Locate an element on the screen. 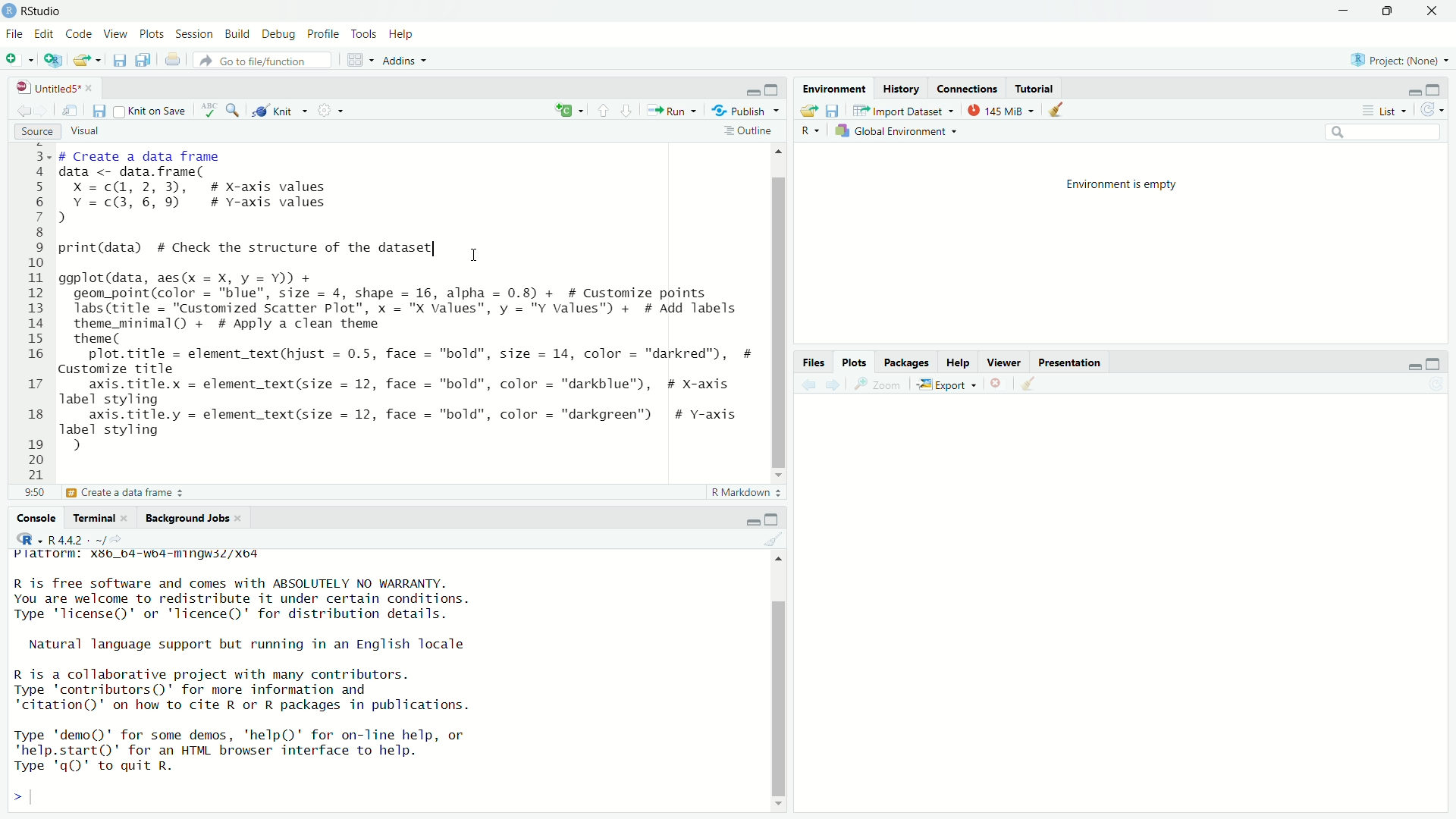 The image size is (1456, 819). Create a project is located at coordinates (55, 60).